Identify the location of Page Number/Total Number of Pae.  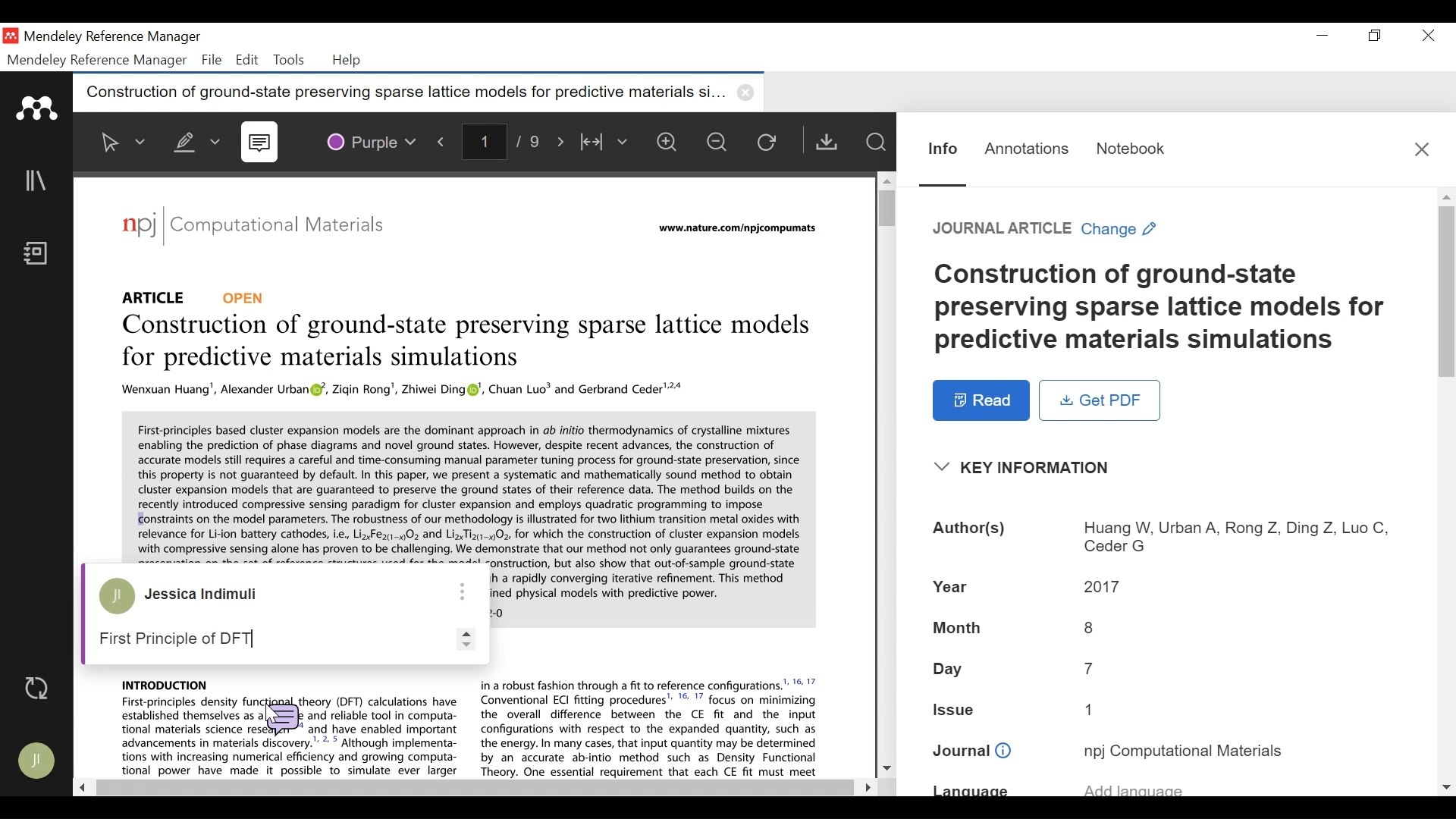
(504, 143).